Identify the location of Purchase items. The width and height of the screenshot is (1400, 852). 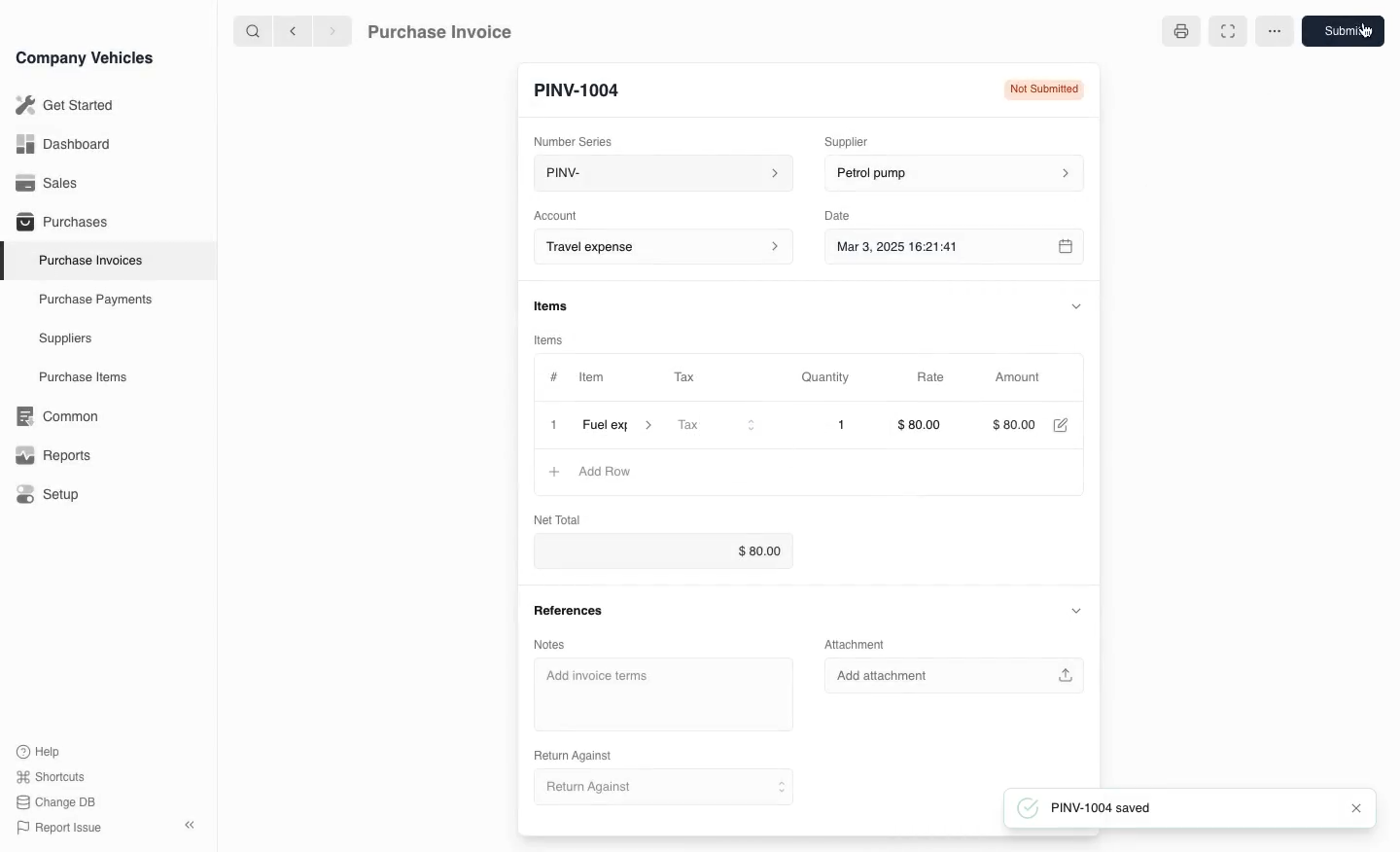
(76, 377).